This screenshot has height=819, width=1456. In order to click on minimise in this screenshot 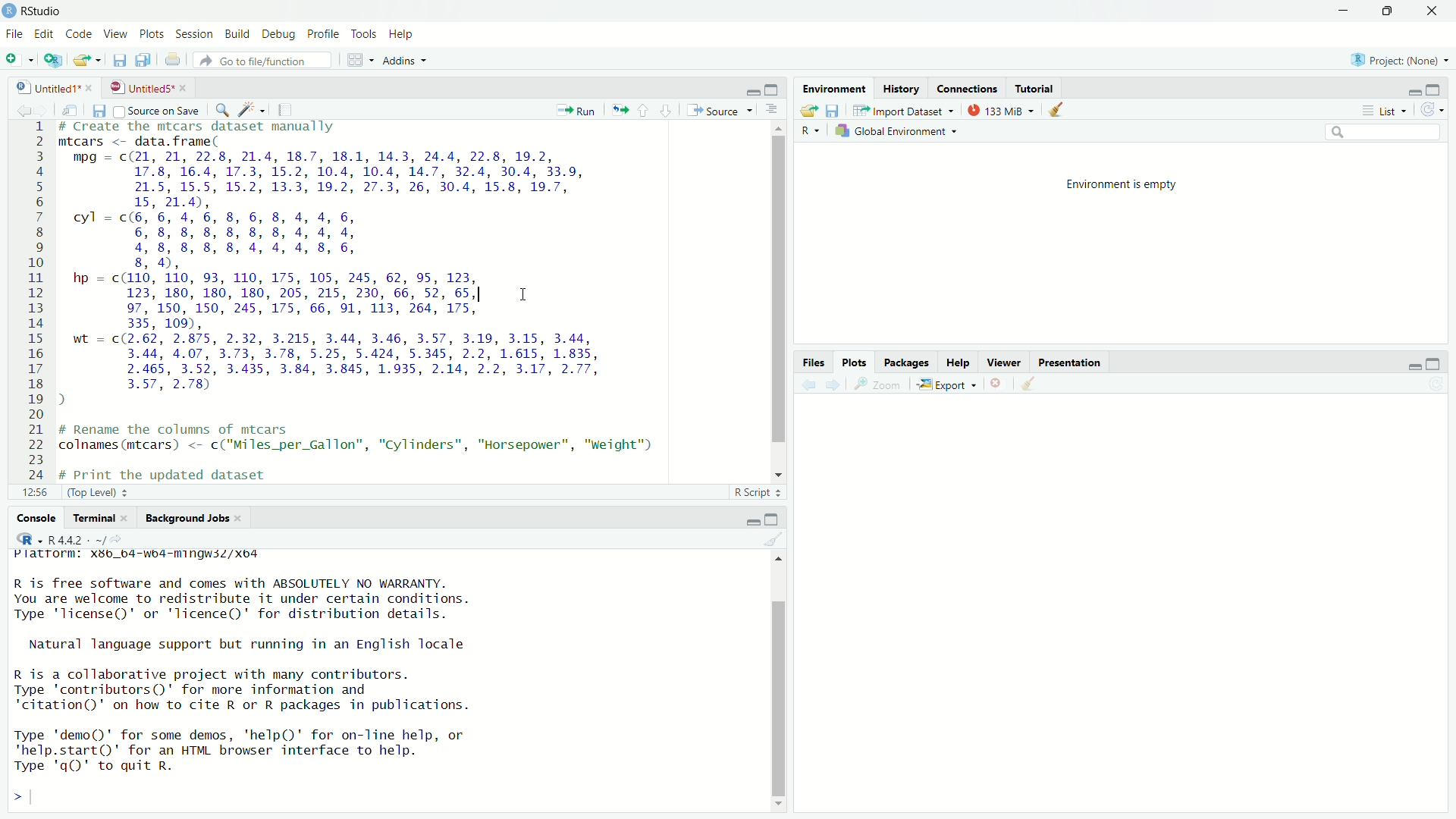, I will do `click(1404, 366)`.